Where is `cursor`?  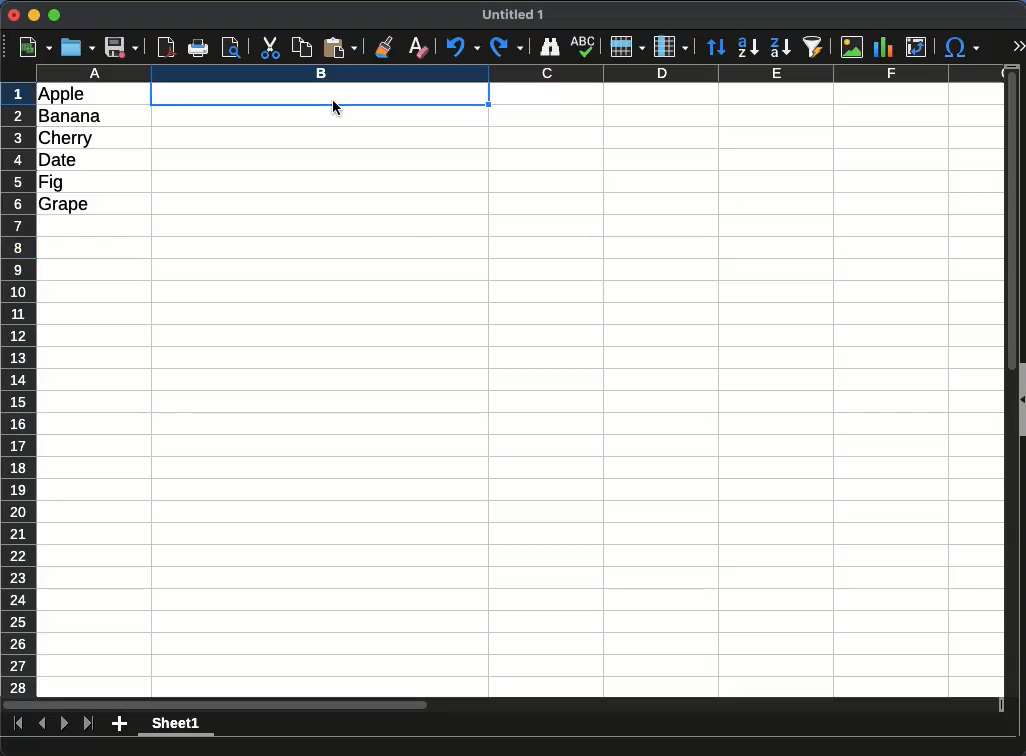
cursor is located at coordinates (337, 108).